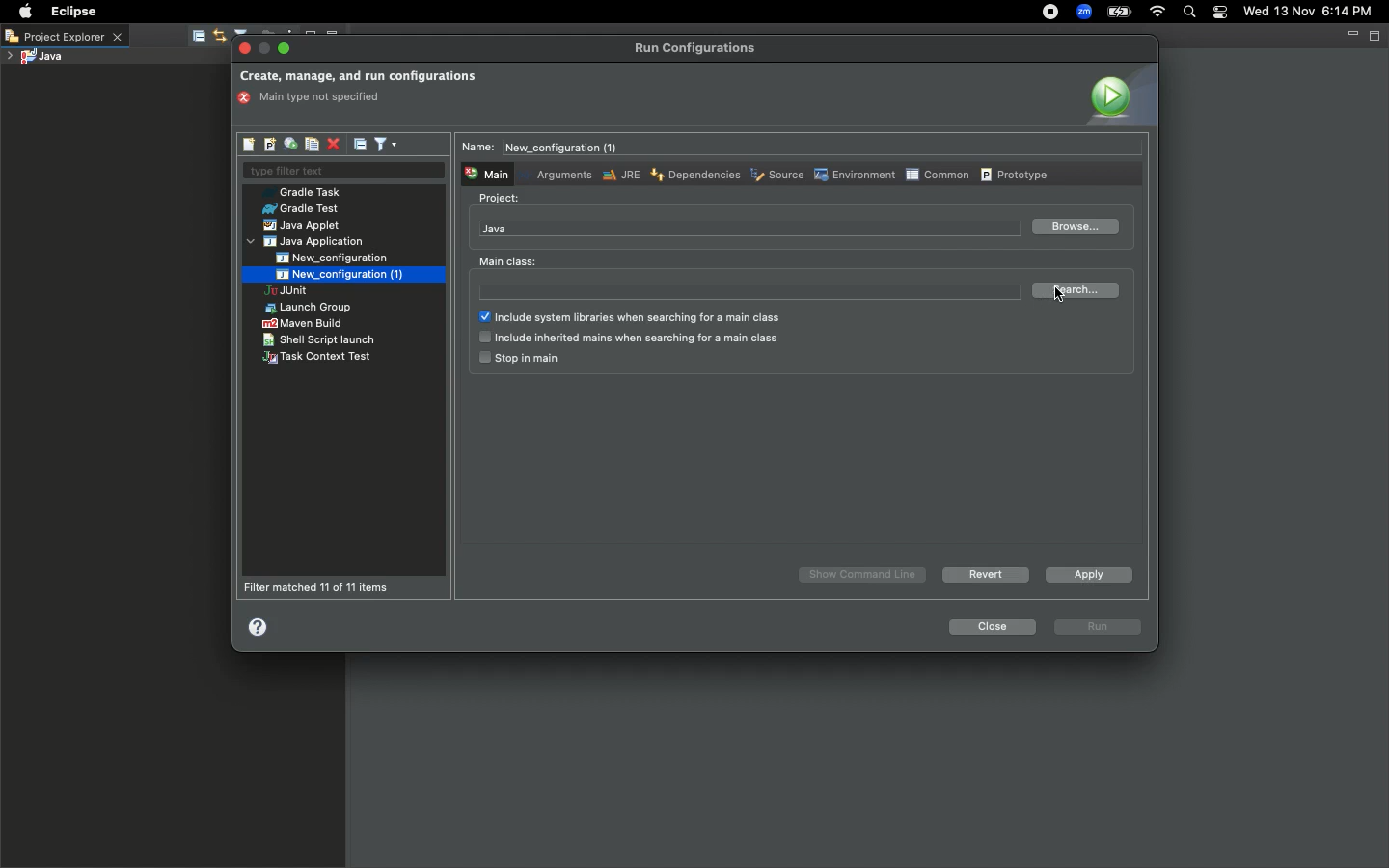 The width and height of the screenshot is (1389, 868). What do you see at coordinates (1119, 95) in the screenshot?
I see `Icon` at bounding box center [1119, 95].